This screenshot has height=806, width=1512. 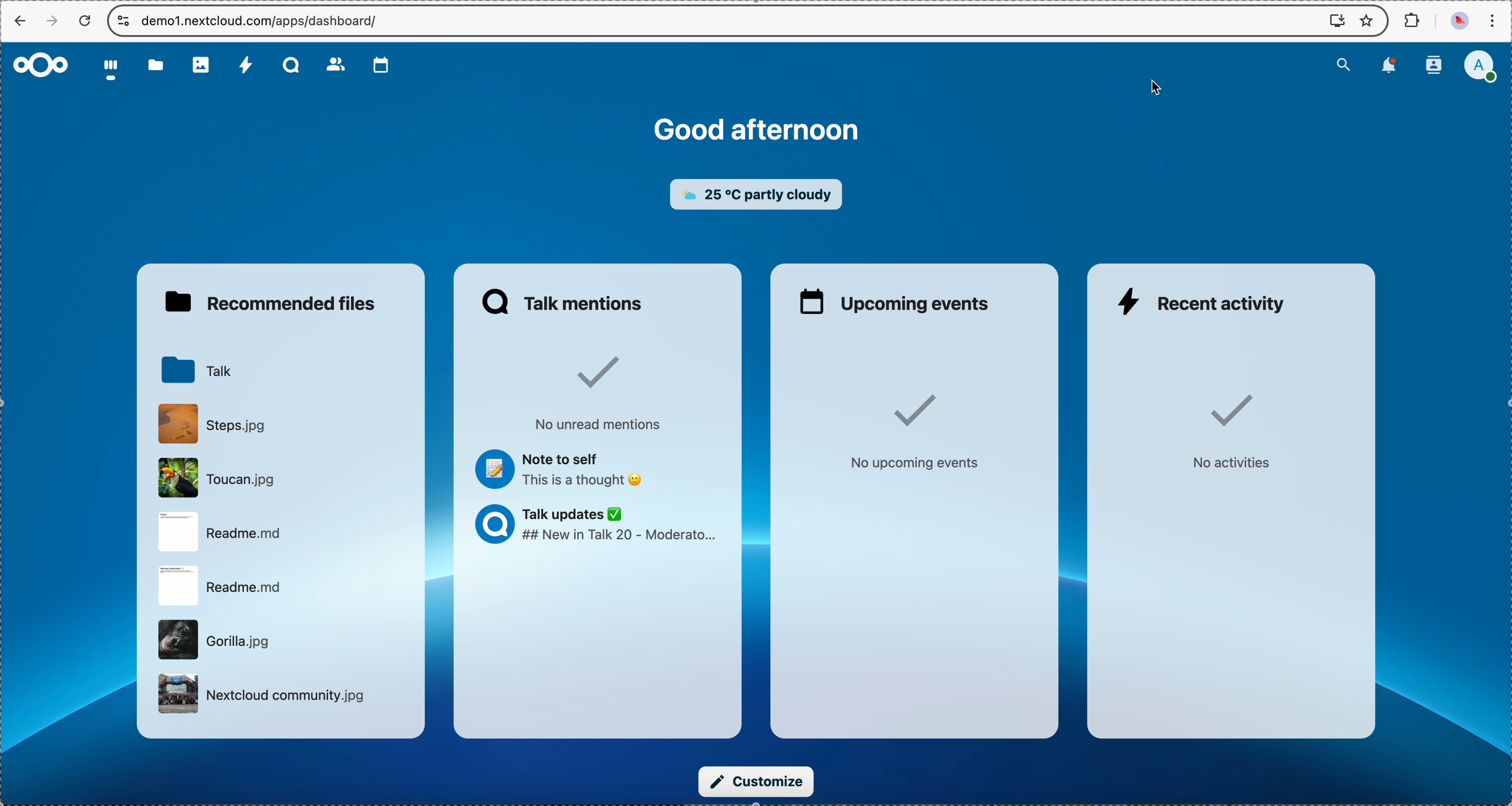 What do you see at coordinates (755, 783) in the screenshot?
I see `click on customize button` at bounding box center [755, 783].